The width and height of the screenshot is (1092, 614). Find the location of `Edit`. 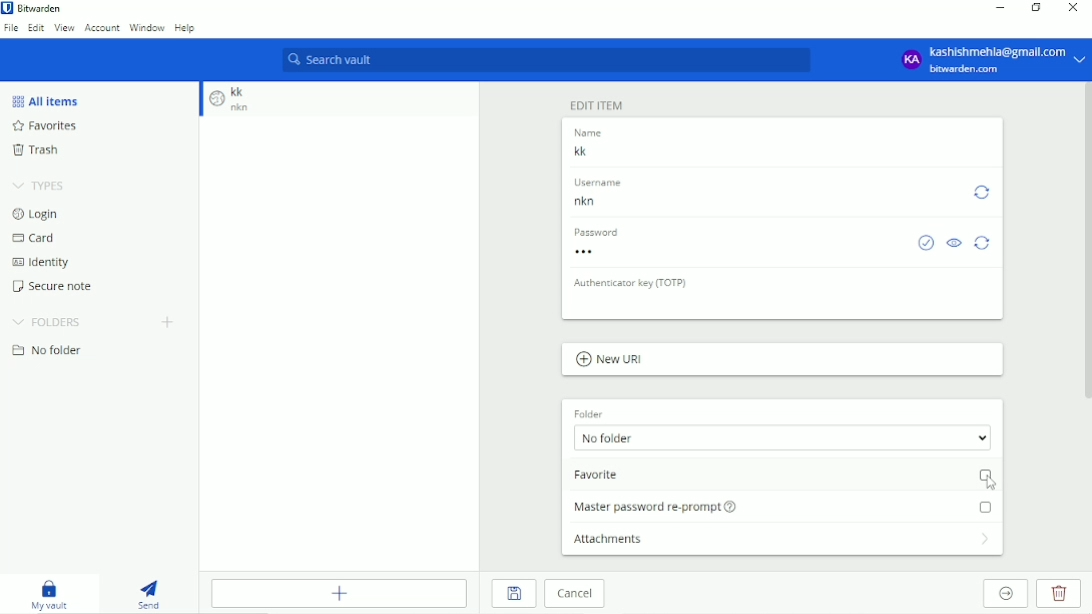

Edit is located at coordinates (36, 27).